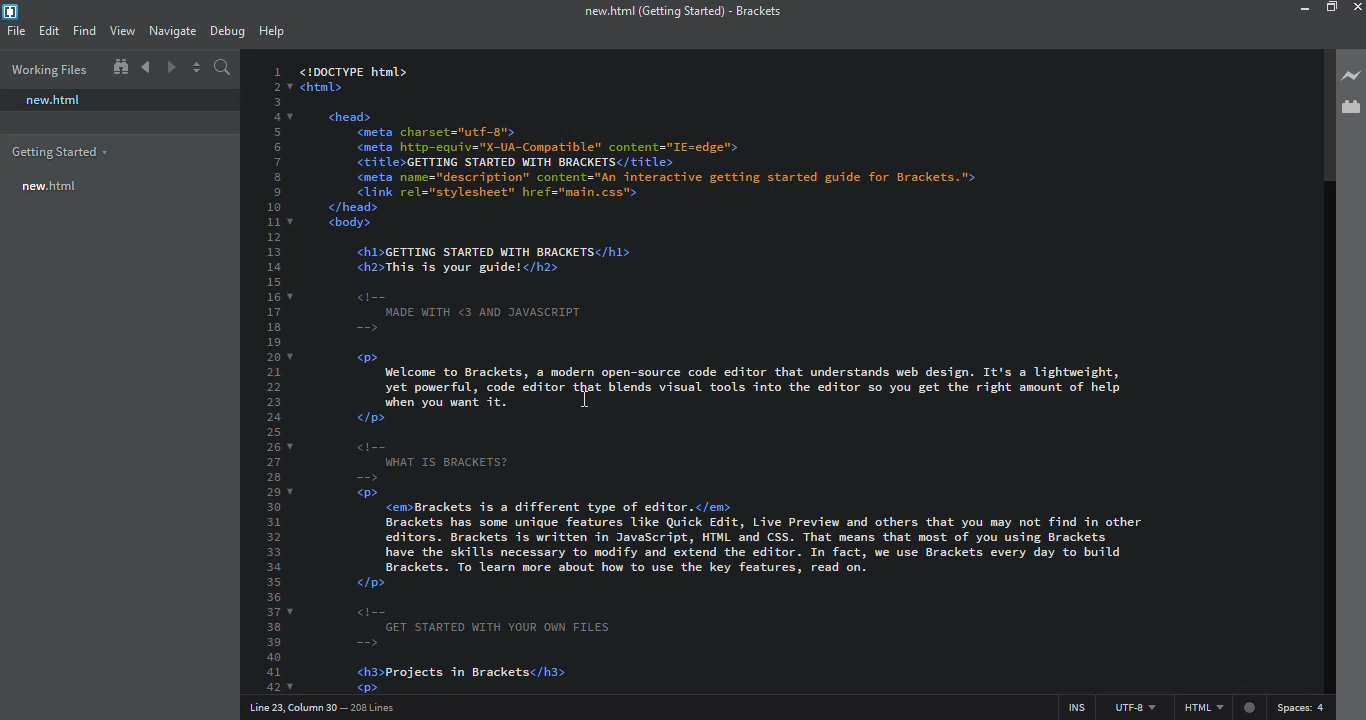 The height and width of the screenshot is (720, 1366). I want to click on test code, so click(711, 176).